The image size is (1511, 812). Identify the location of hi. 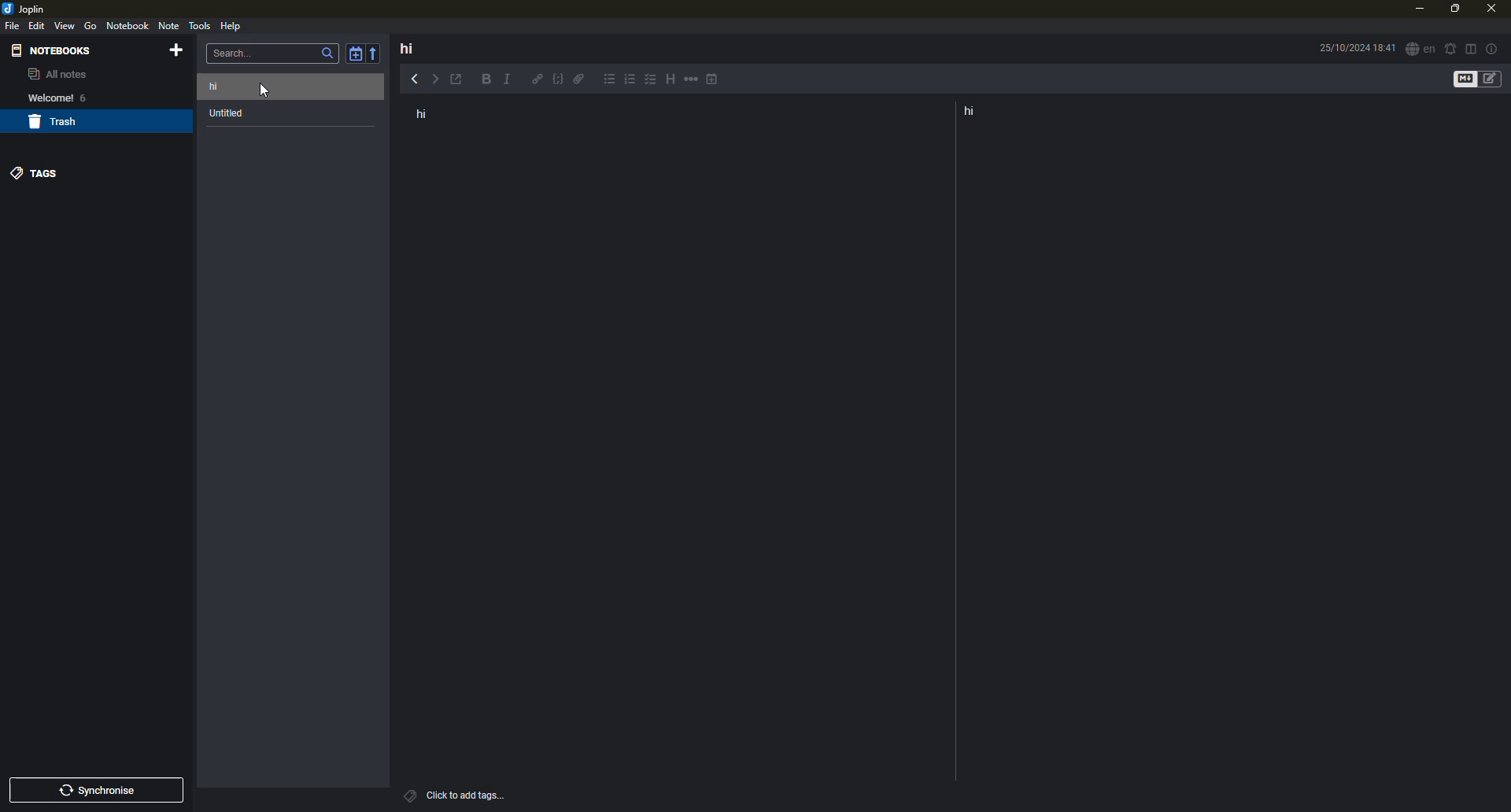
(428, 115).